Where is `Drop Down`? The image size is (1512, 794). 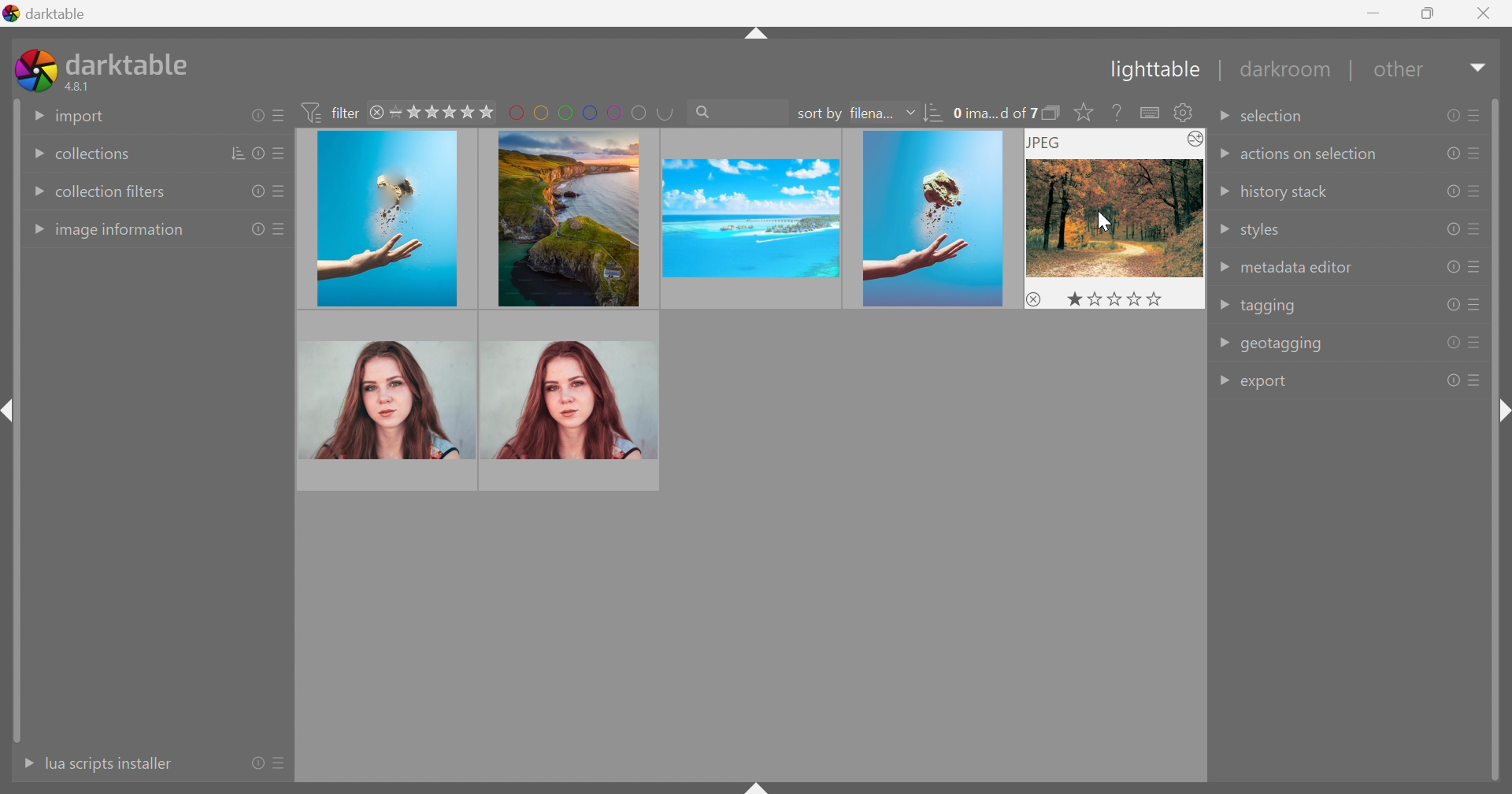 Drop Down is located at coordinates (1221, 228).